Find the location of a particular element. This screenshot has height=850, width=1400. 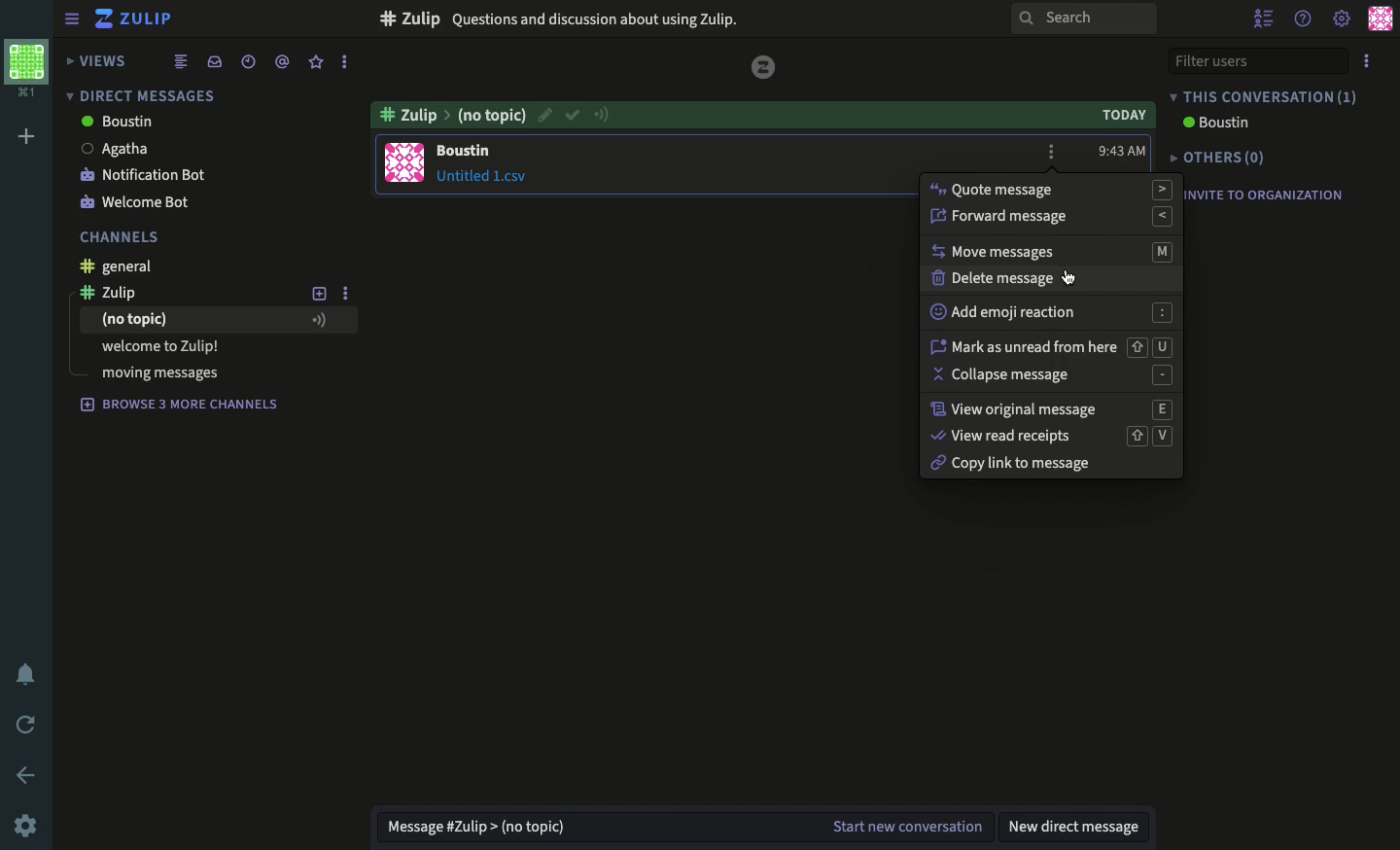

user profile is located at coordinates (406, 162).